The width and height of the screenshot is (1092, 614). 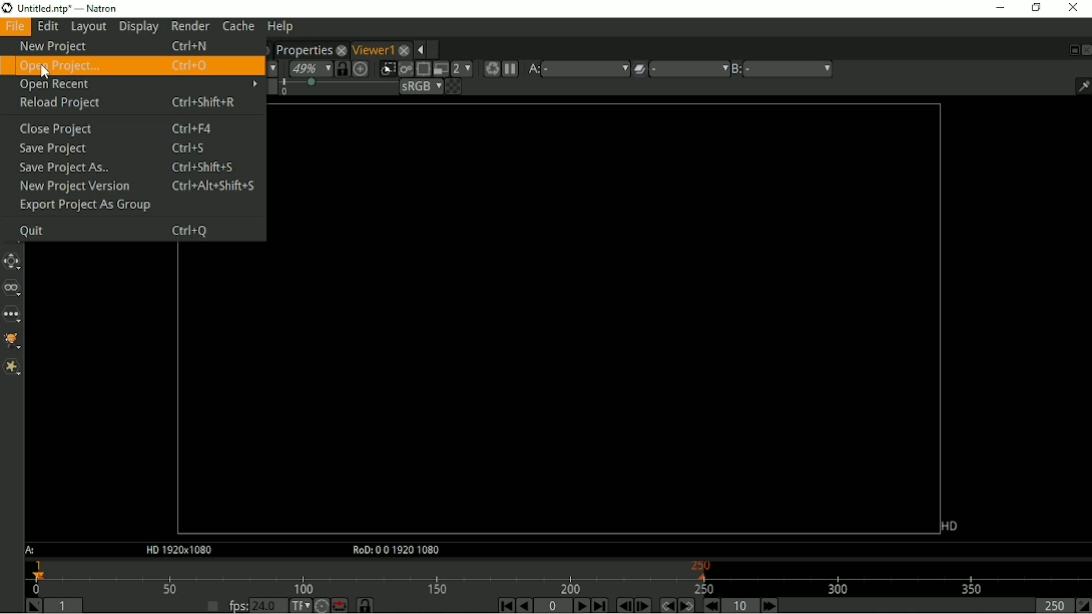 What do you see at coordinates (623, 605) in the screenshot?
I see `Previous frame` at bounding box center [623, 605].